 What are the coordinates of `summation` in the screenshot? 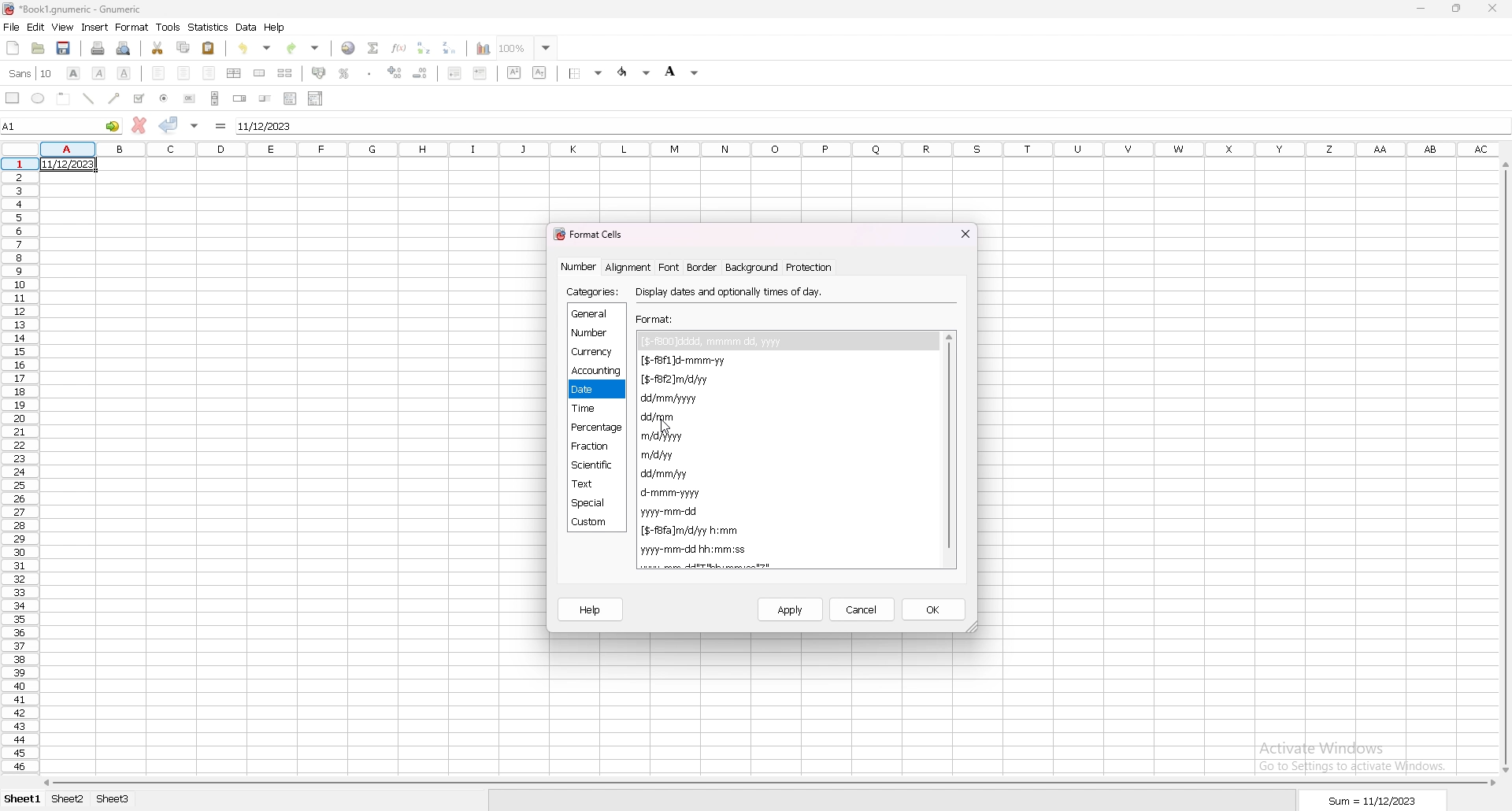 It's located at (374, 47).